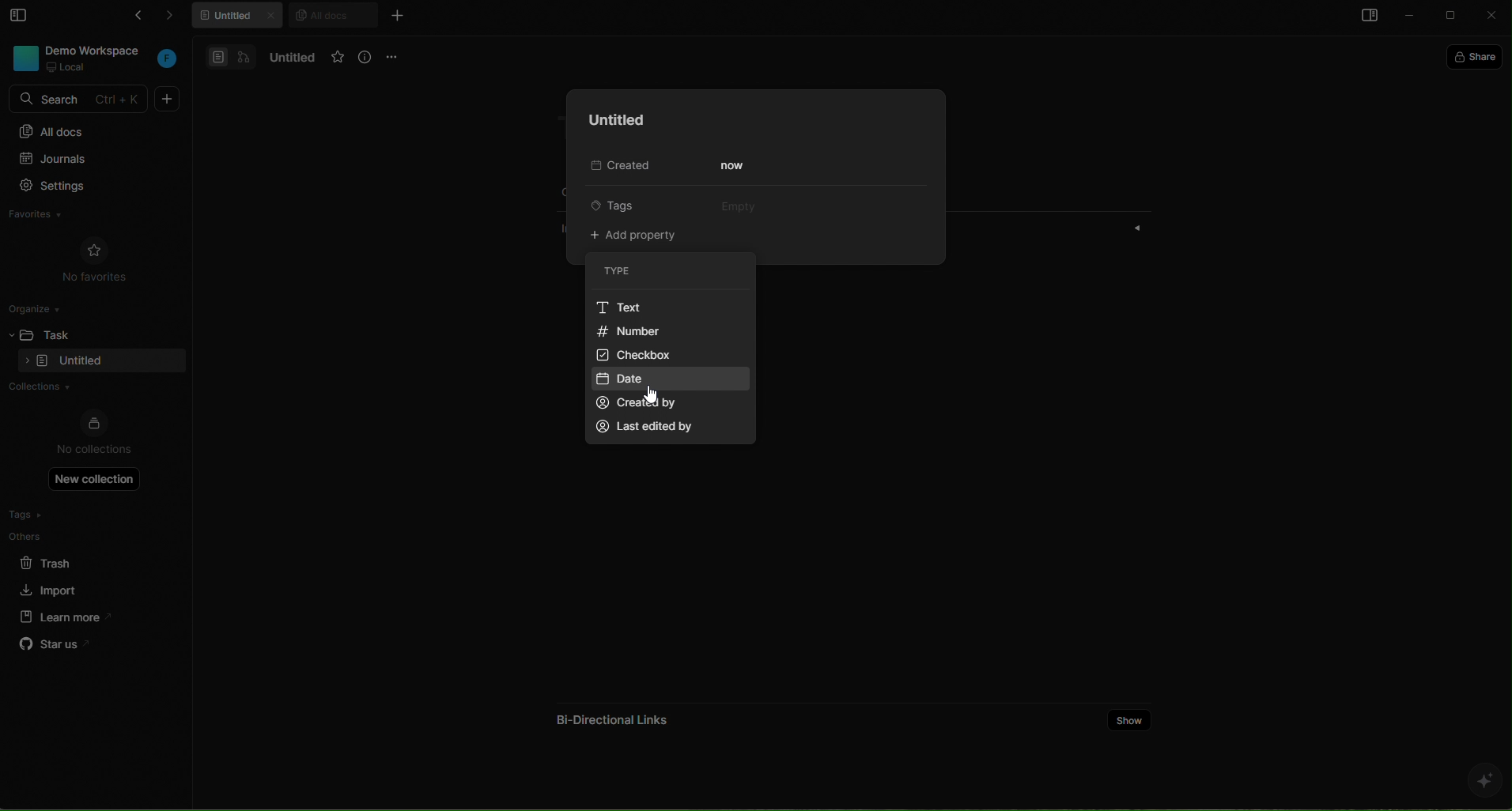 The width and height of the screenshot is (1512, 811). I want to click on settings, so click(86, 187).